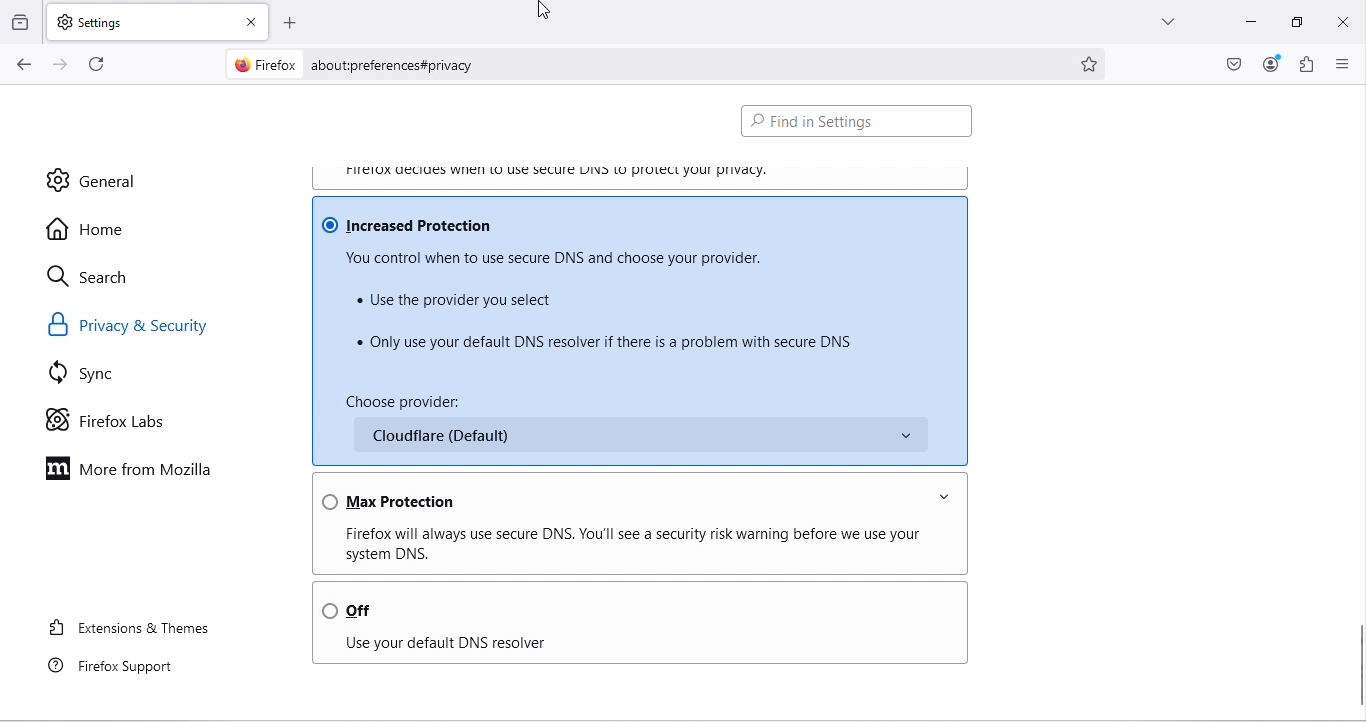  Describe the element at coordinates (94, 278) in the screenshot. I see `Search` at that location.